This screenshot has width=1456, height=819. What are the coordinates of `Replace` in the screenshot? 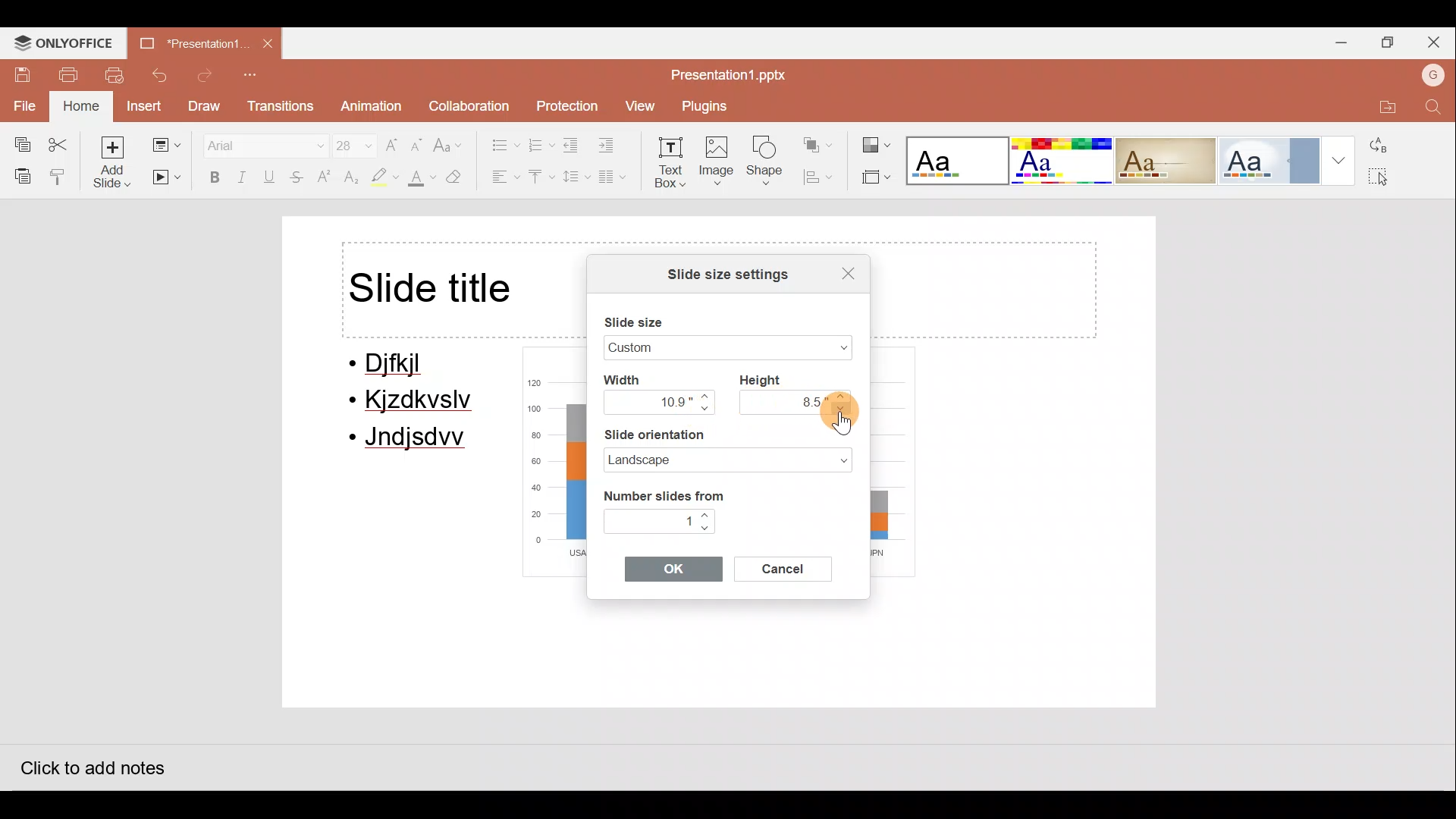 It's located at (1386, 143).